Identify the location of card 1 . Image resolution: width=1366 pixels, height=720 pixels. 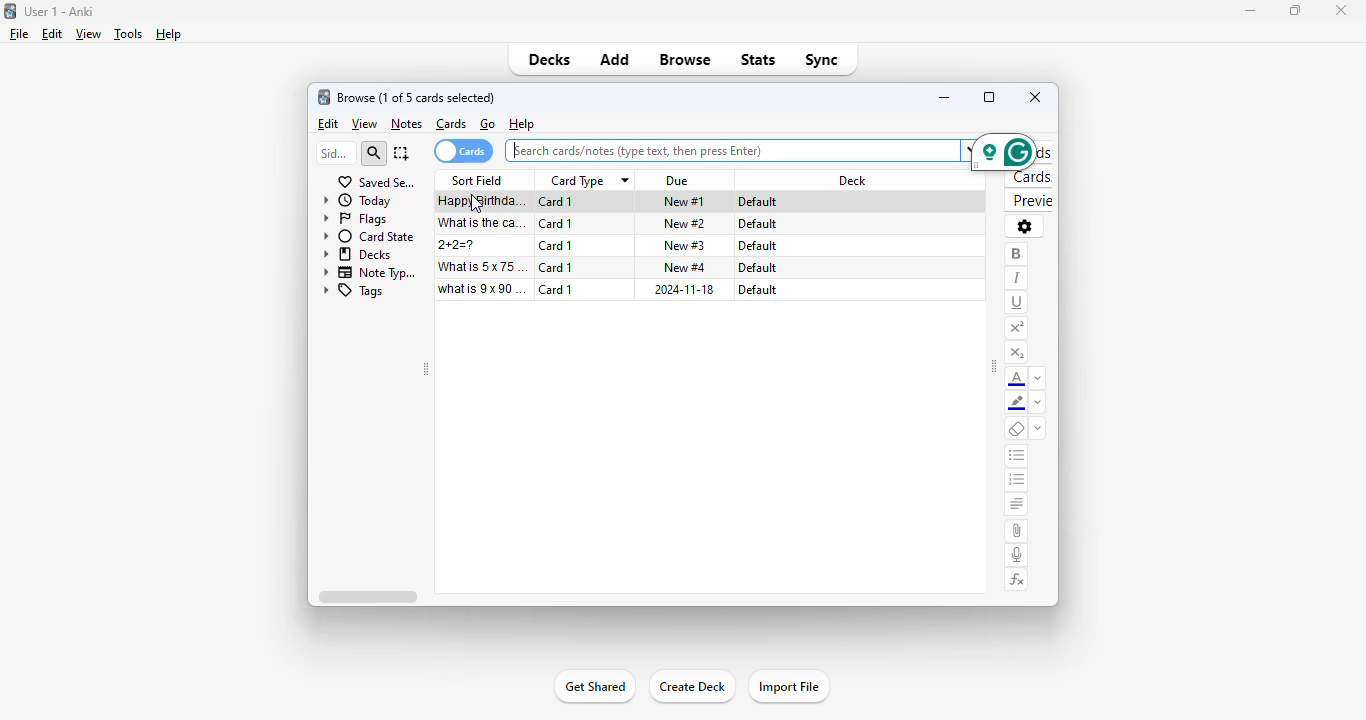
(556, 289).